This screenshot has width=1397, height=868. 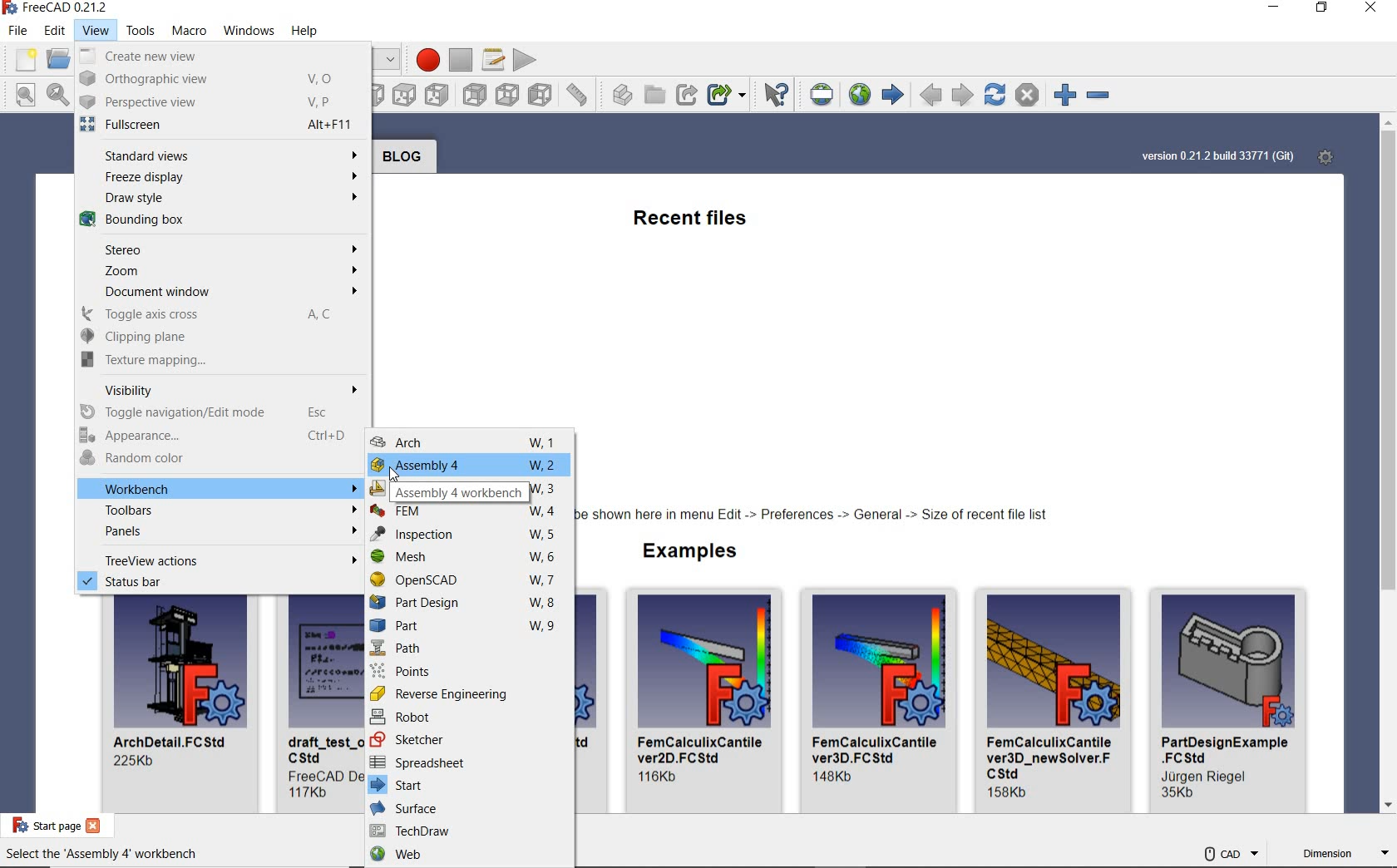 I want to click on Assembly 4, so click(x=470, y=465).